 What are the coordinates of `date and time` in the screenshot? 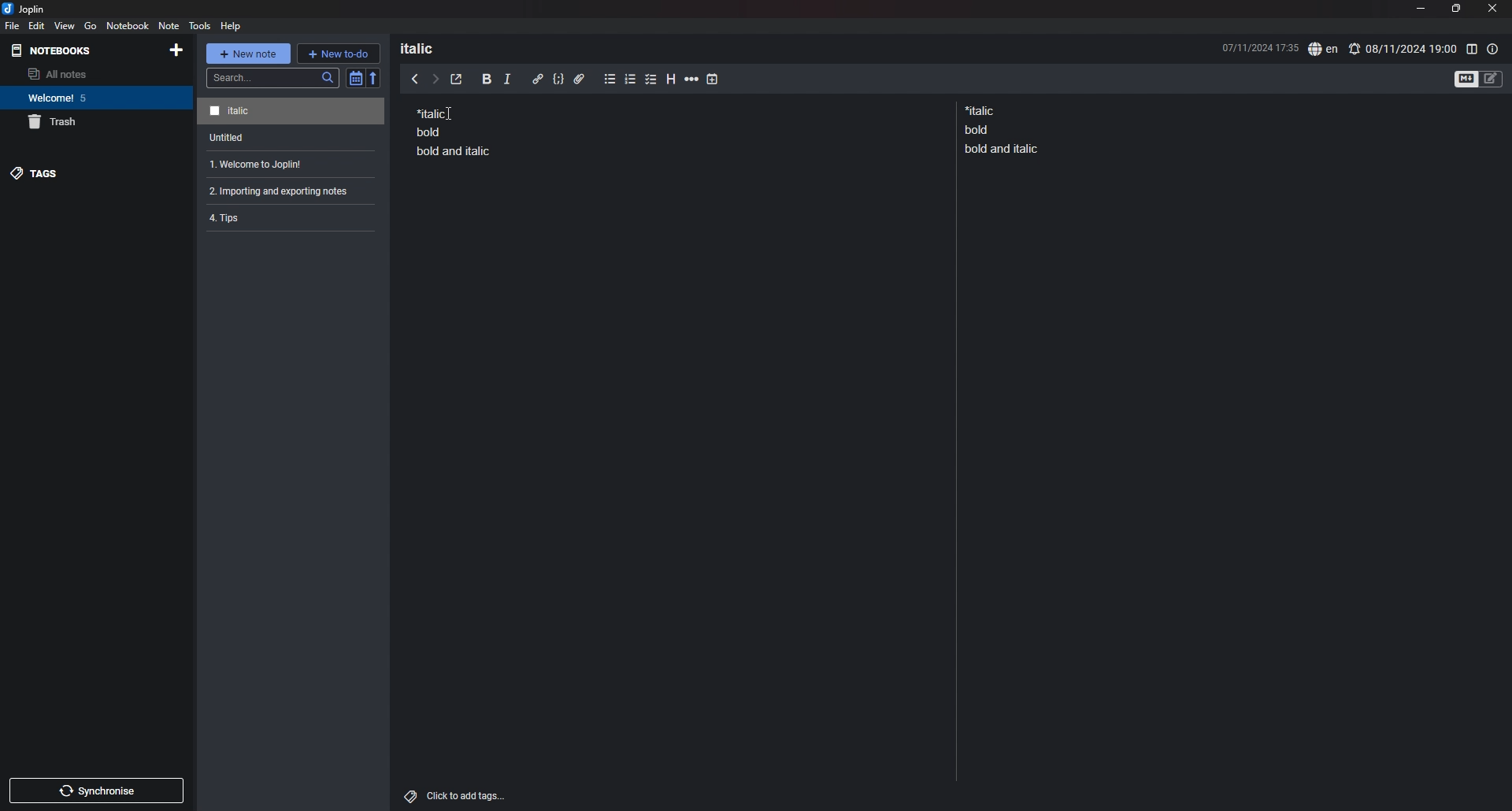 It's located at (1259, 46).